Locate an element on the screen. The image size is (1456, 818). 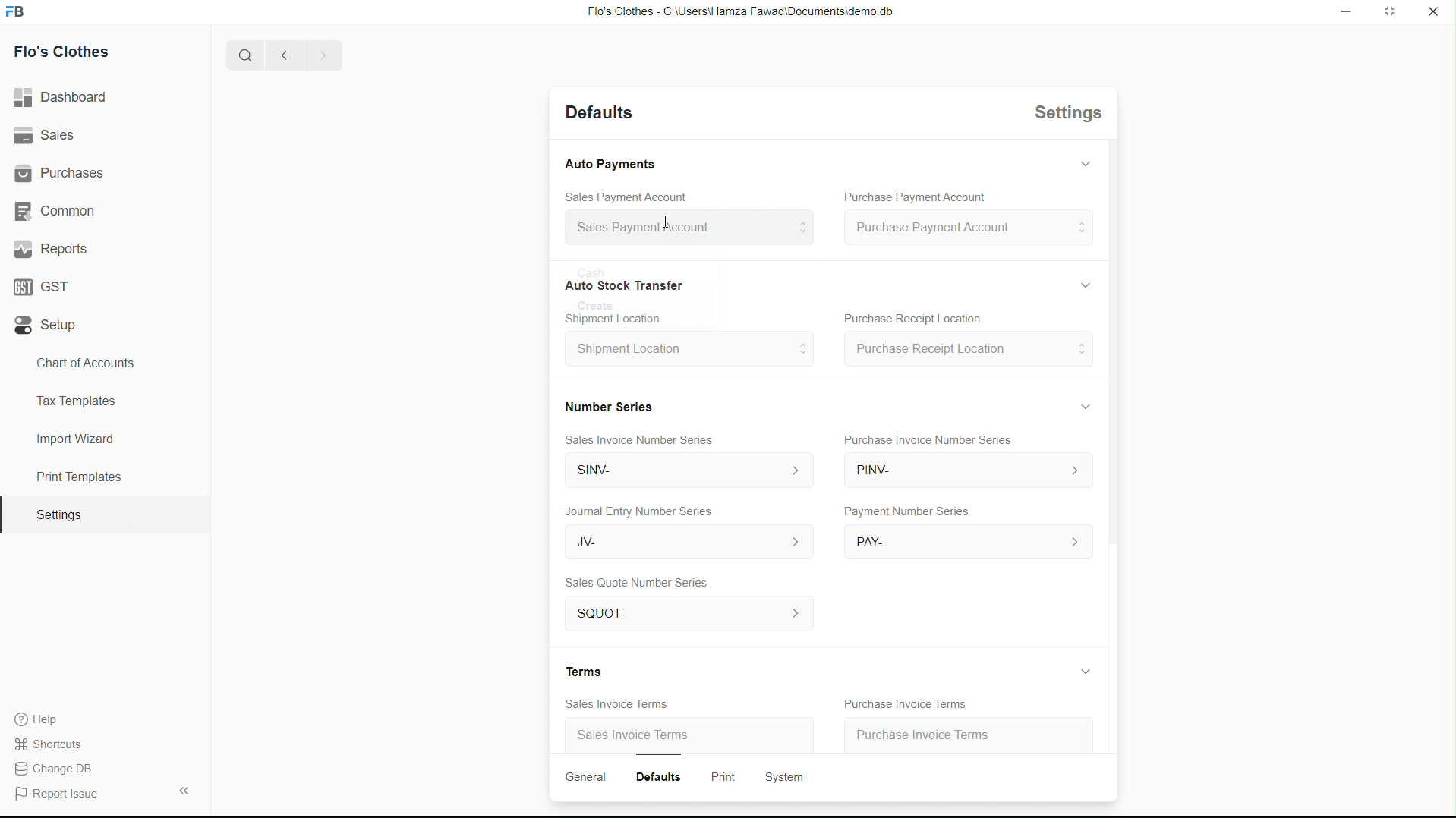
SQuOT- > is located at coordinates (686, 615).